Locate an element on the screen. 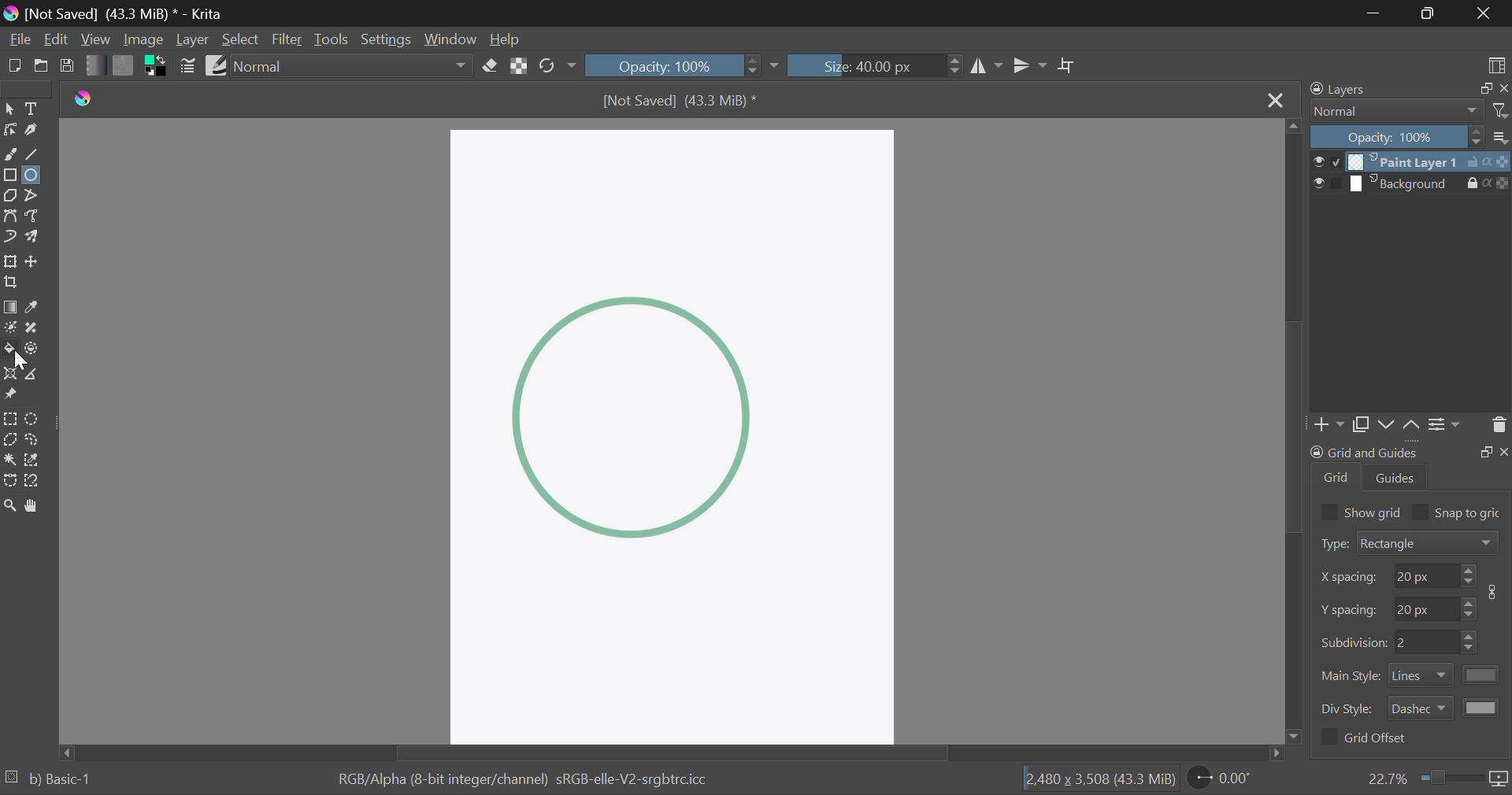 This screenshot has width=1512, height=795. Select is located at coordinates (241, 39).